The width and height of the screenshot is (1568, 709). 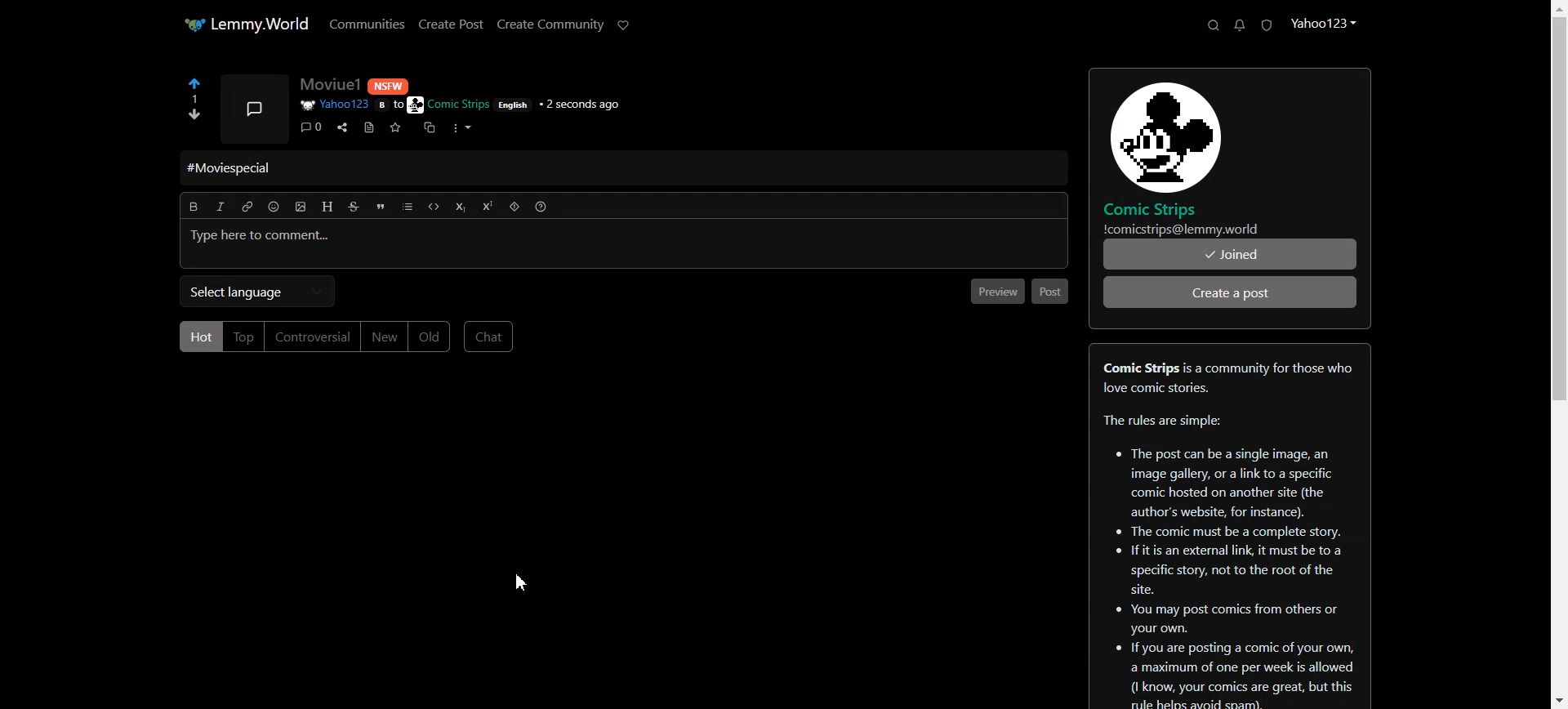 What do you see at coordinates (193, 91) in the screenshot?
I see `Upvote` at bounding box center [193, 91].